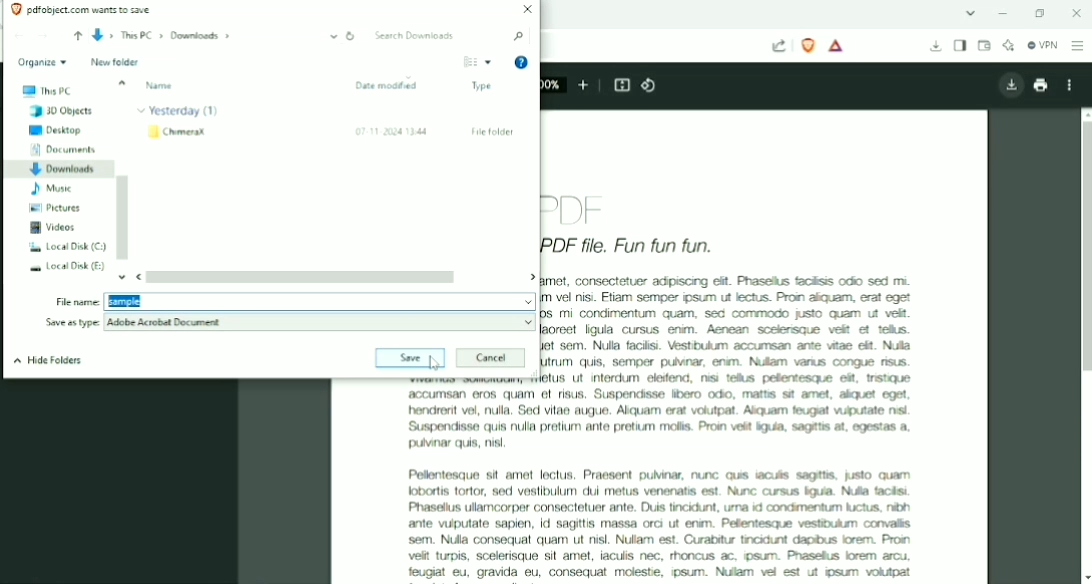 This screenshot has width=1092, height=584. What do you see at coordinates (73, 323) in the screenshot?
I see `Save as type` at bounding box center [73, 323].